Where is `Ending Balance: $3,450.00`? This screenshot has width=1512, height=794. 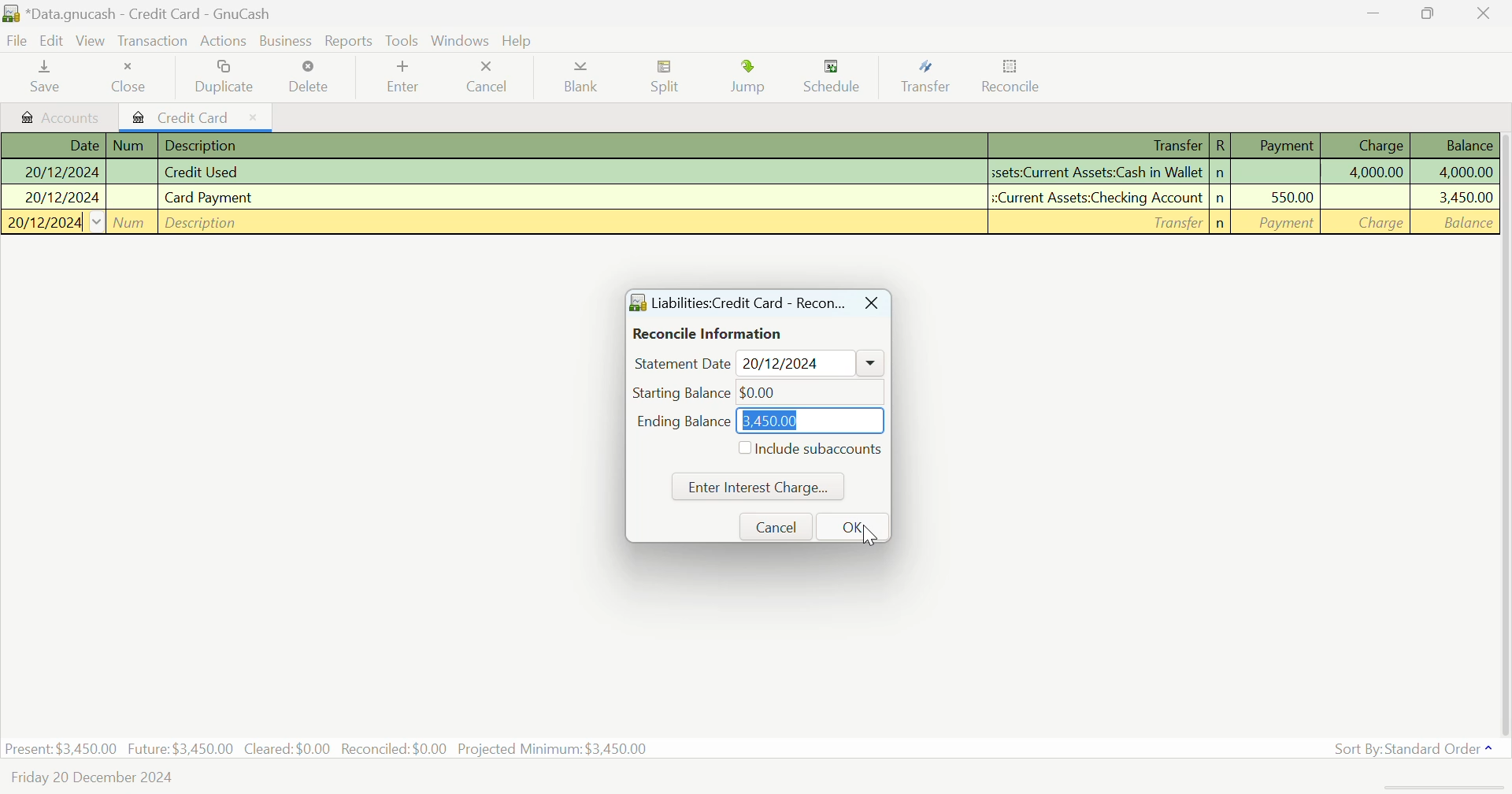
Ending Balance: $3,450.00 is located at coordinates (758, 421).